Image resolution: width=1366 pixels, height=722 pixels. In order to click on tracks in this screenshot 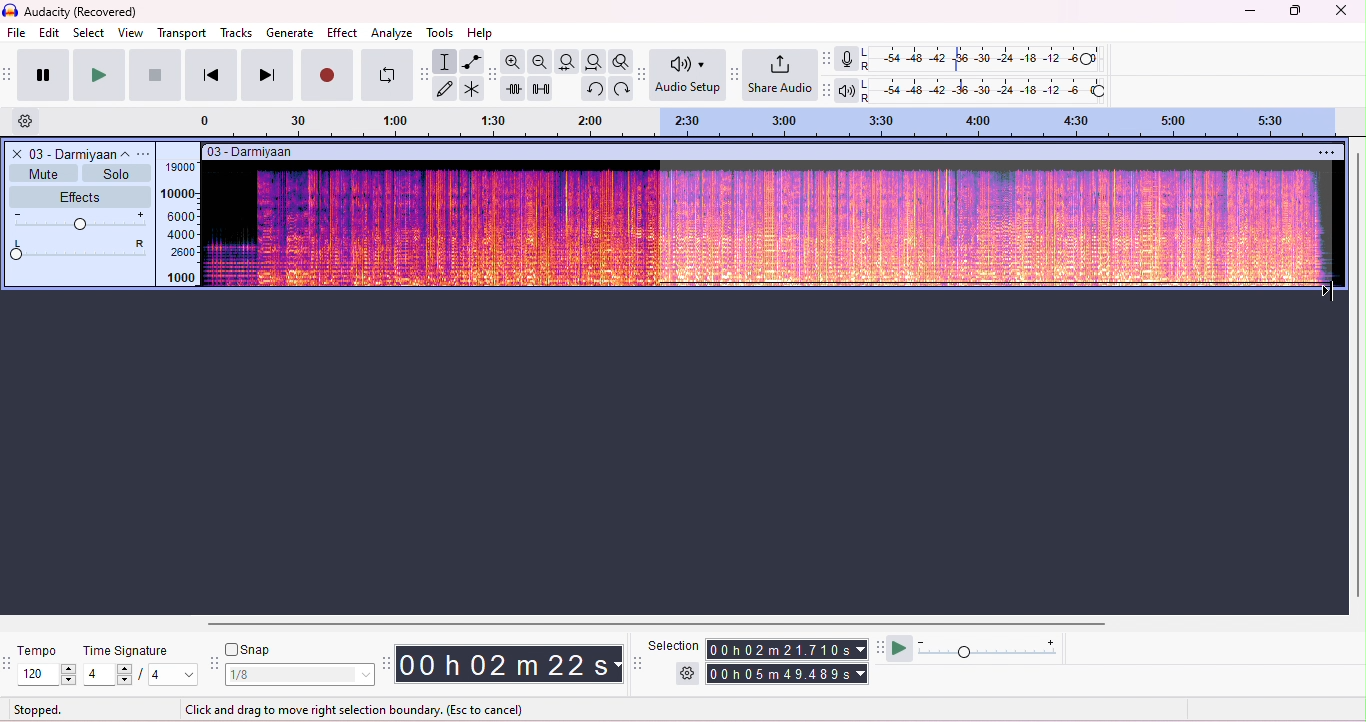, I will do `click(236, 33)`.